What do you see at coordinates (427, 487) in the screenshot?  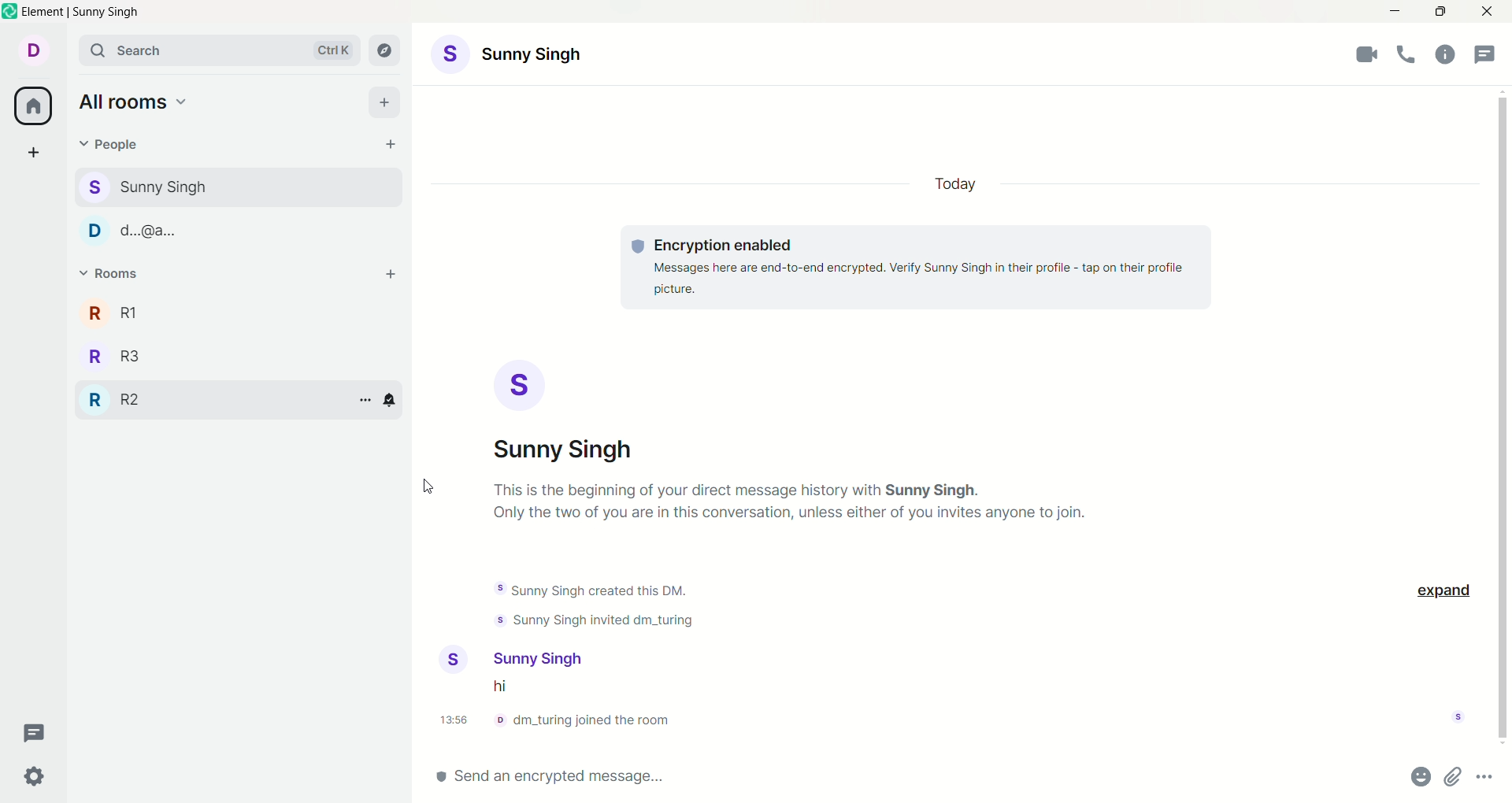 I see `CURSOR` at bounding box center [427, 487].